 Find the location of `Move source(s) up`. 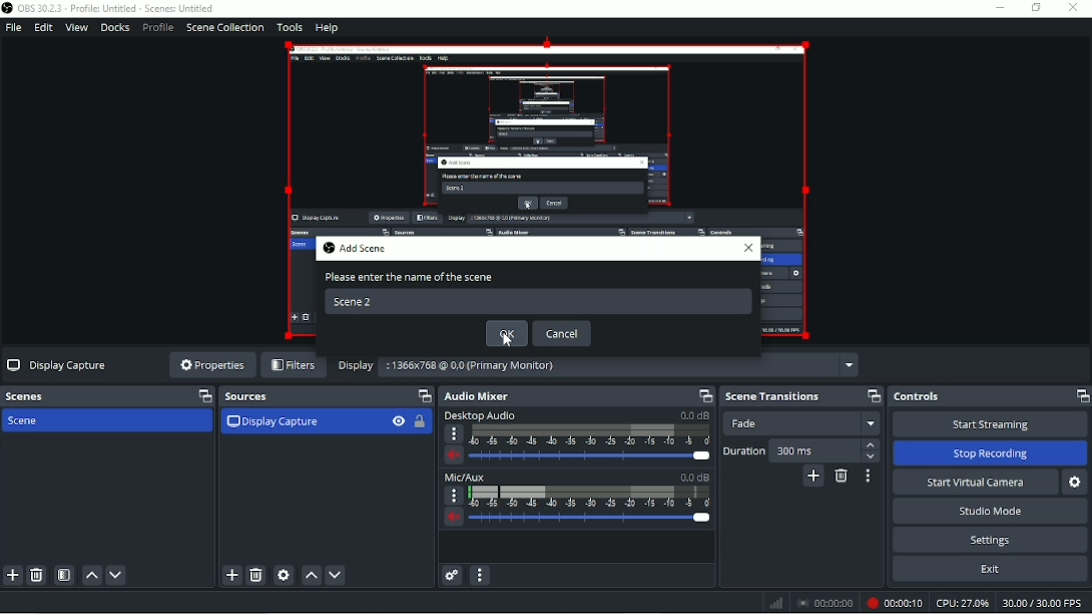

Move source(s) up is located at coordinates (311, 576).